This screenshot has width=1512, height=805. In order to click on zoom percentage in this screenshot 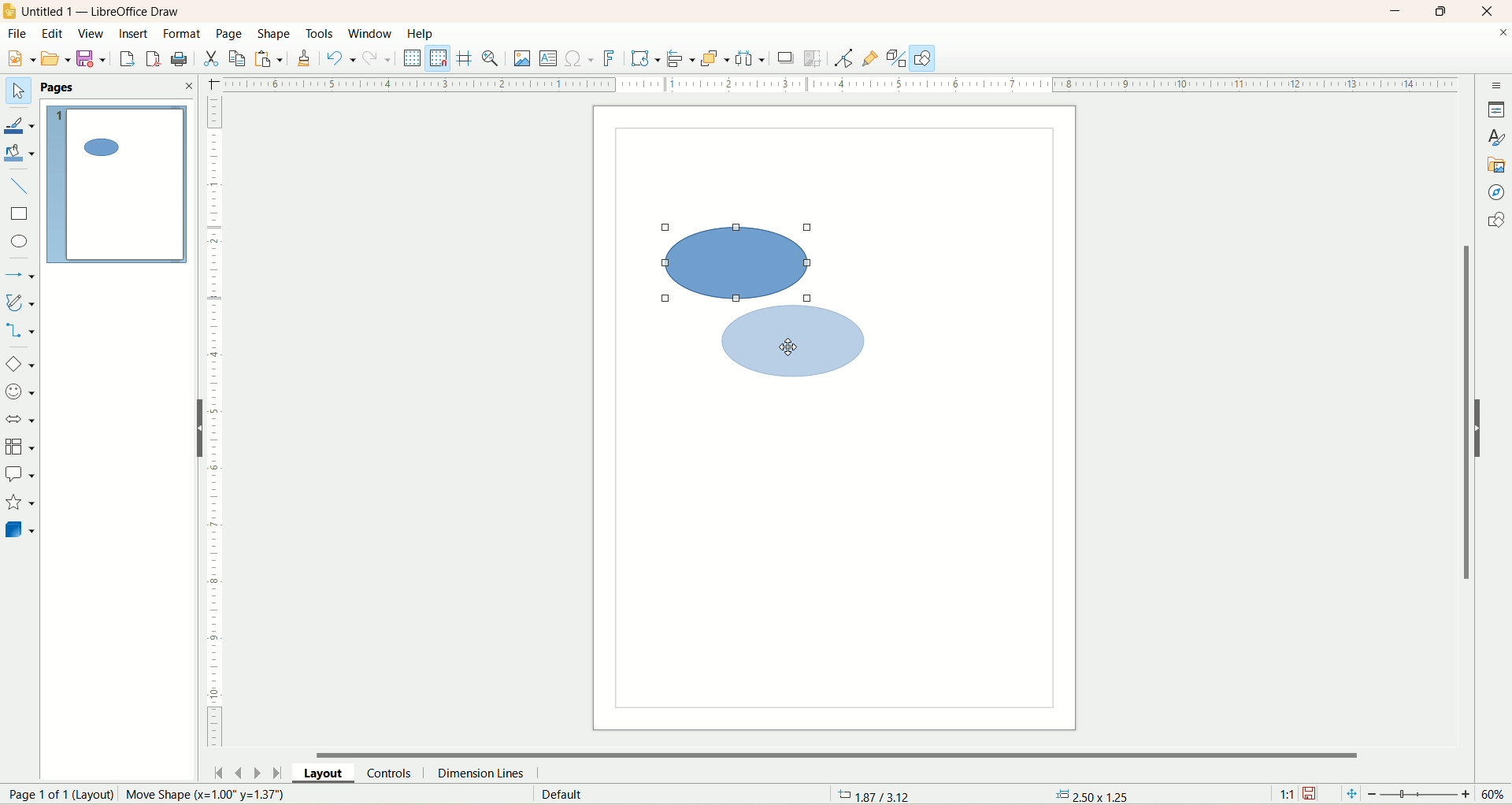, I will do `click(1496, 795)`.